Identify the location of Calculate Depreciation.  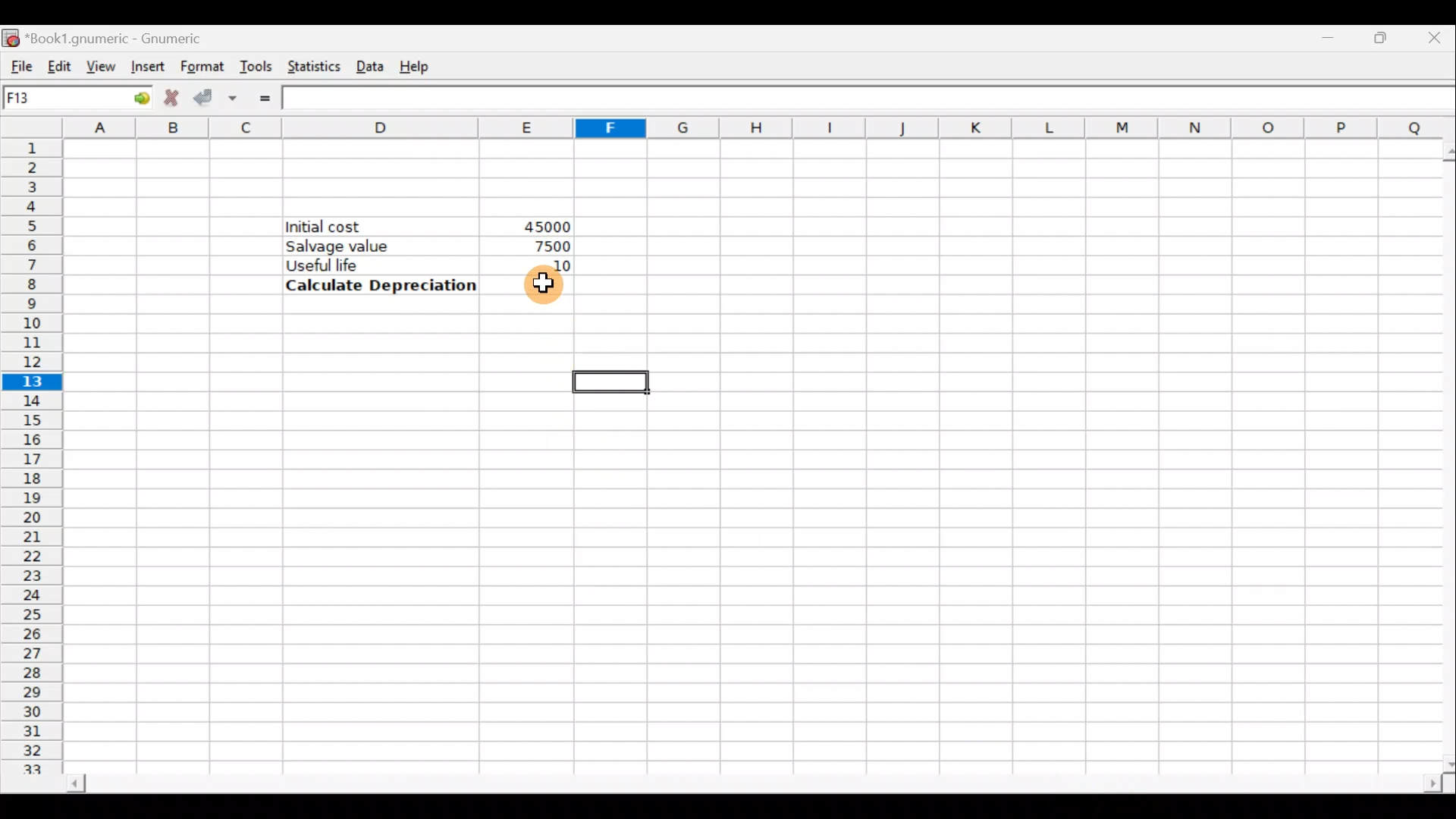
(381, 285).